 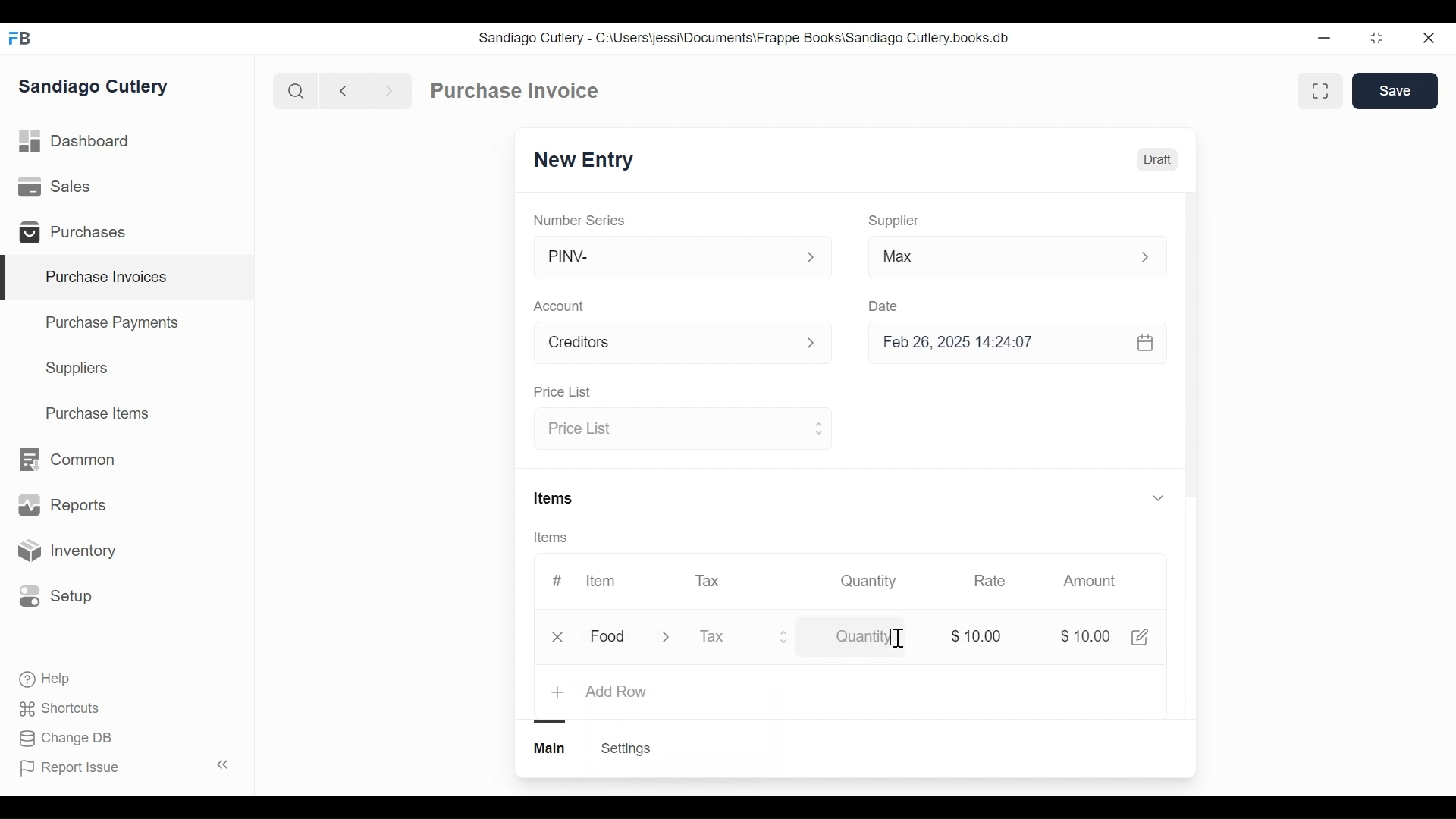 What do you see at coordinates (581, 220) in the screenshot?
I see `Number Series` at bounding box center [581, 220].